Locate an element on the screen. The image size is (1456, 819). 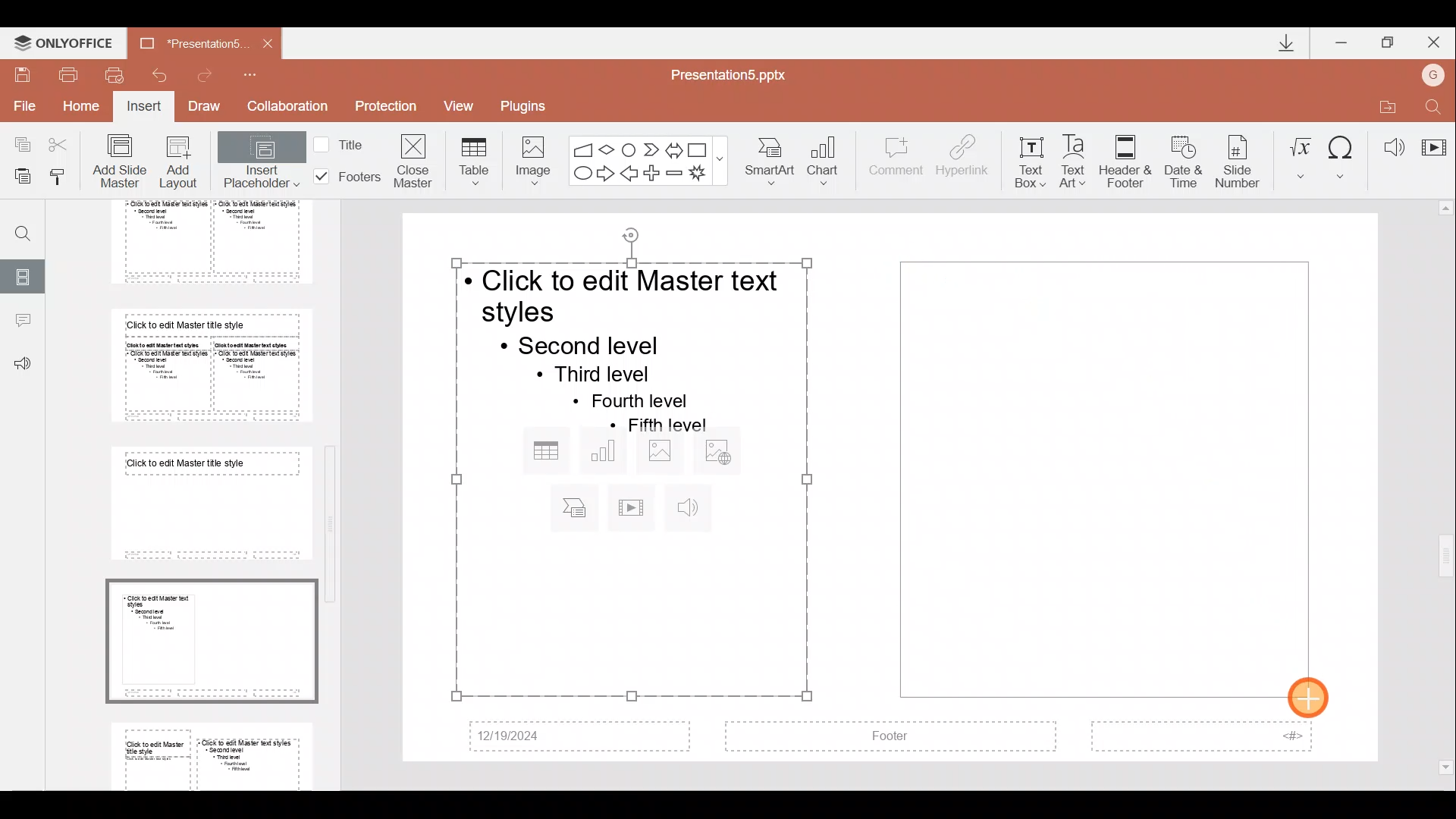
Flowchart-connector is located at coordinates (629, 146).